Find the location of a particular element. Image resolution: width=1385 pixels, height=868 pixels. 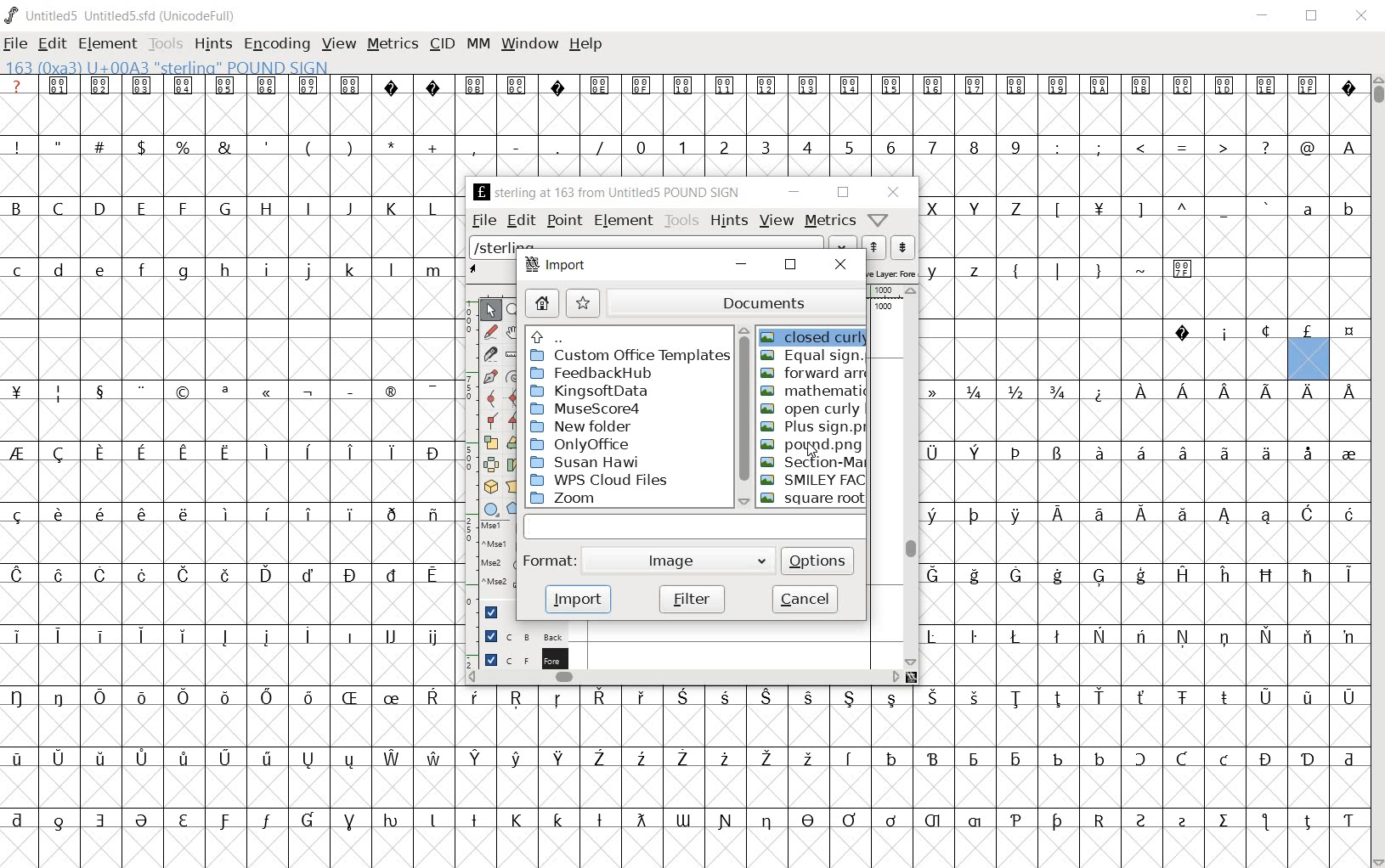

a is located at coordinates (1309, 208).